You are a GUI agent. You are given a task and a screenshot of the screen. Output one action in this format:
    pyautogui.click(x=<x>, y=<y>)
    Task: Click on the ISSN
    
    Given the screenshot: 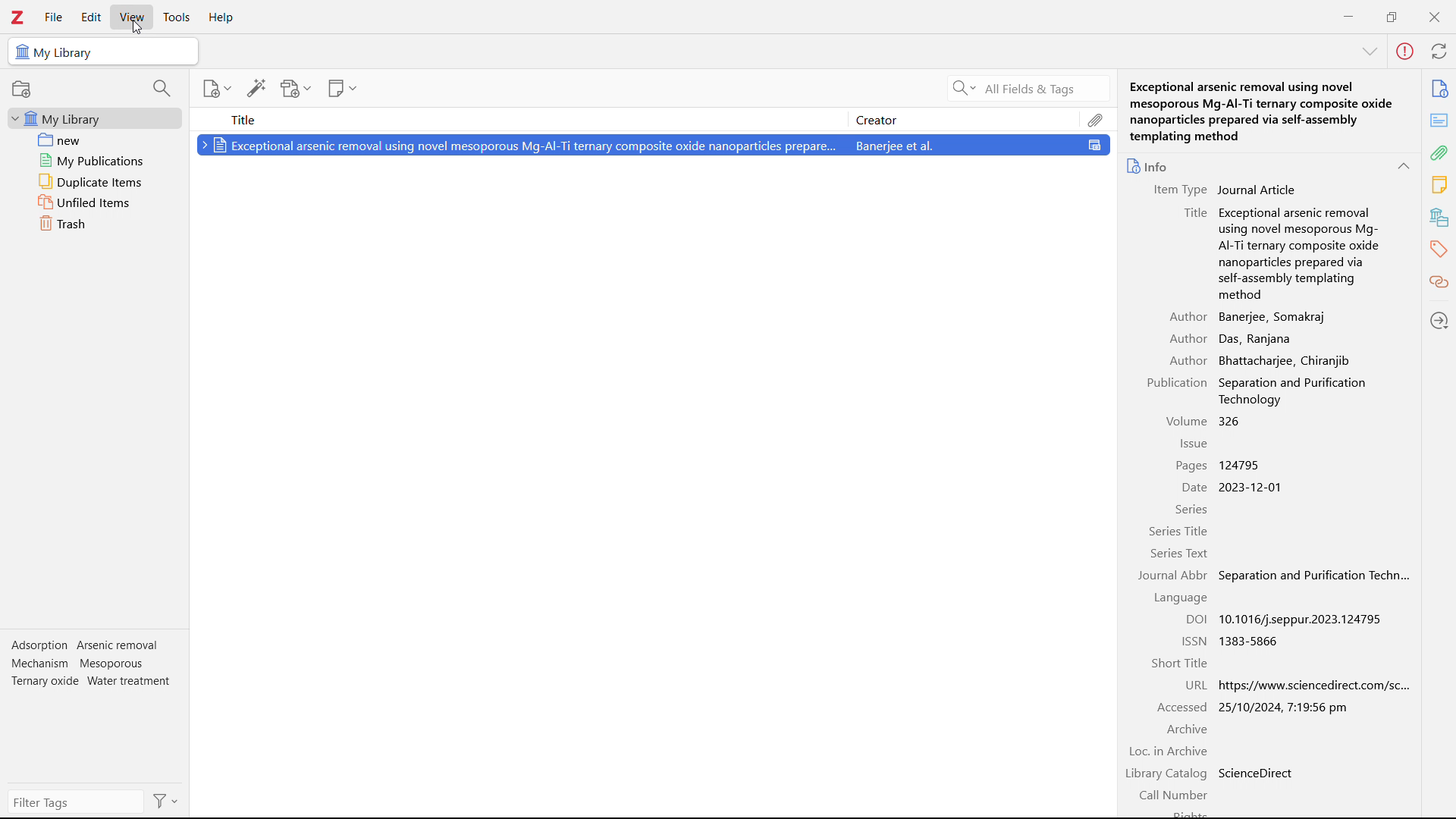 What is the action you would take?
    pyautogui.click(x=1194, y=640)
    